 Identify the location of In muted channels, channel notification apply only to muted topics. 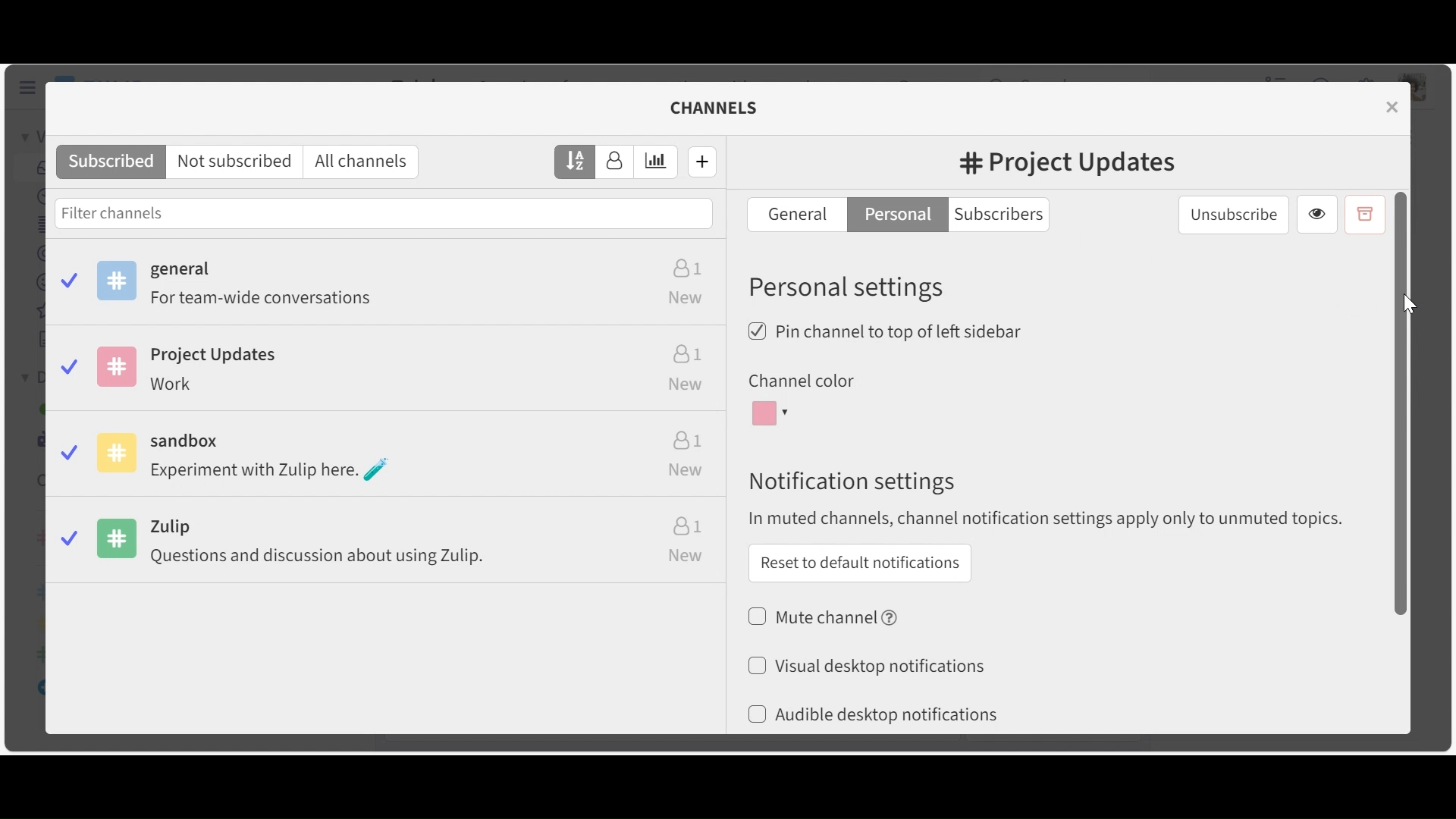
(1047, 518).